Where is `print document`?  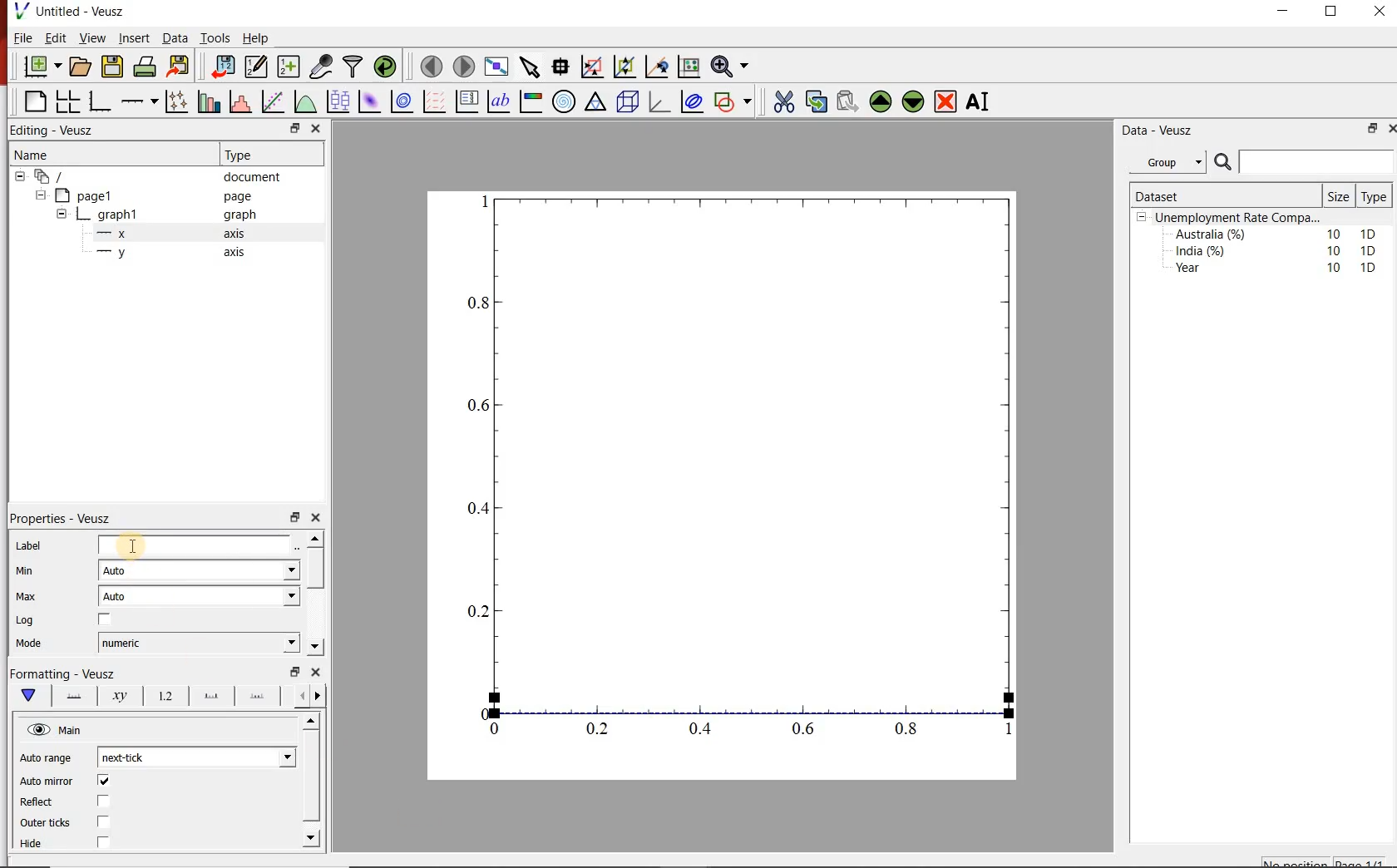 print document is located at coordinates (145, 65).